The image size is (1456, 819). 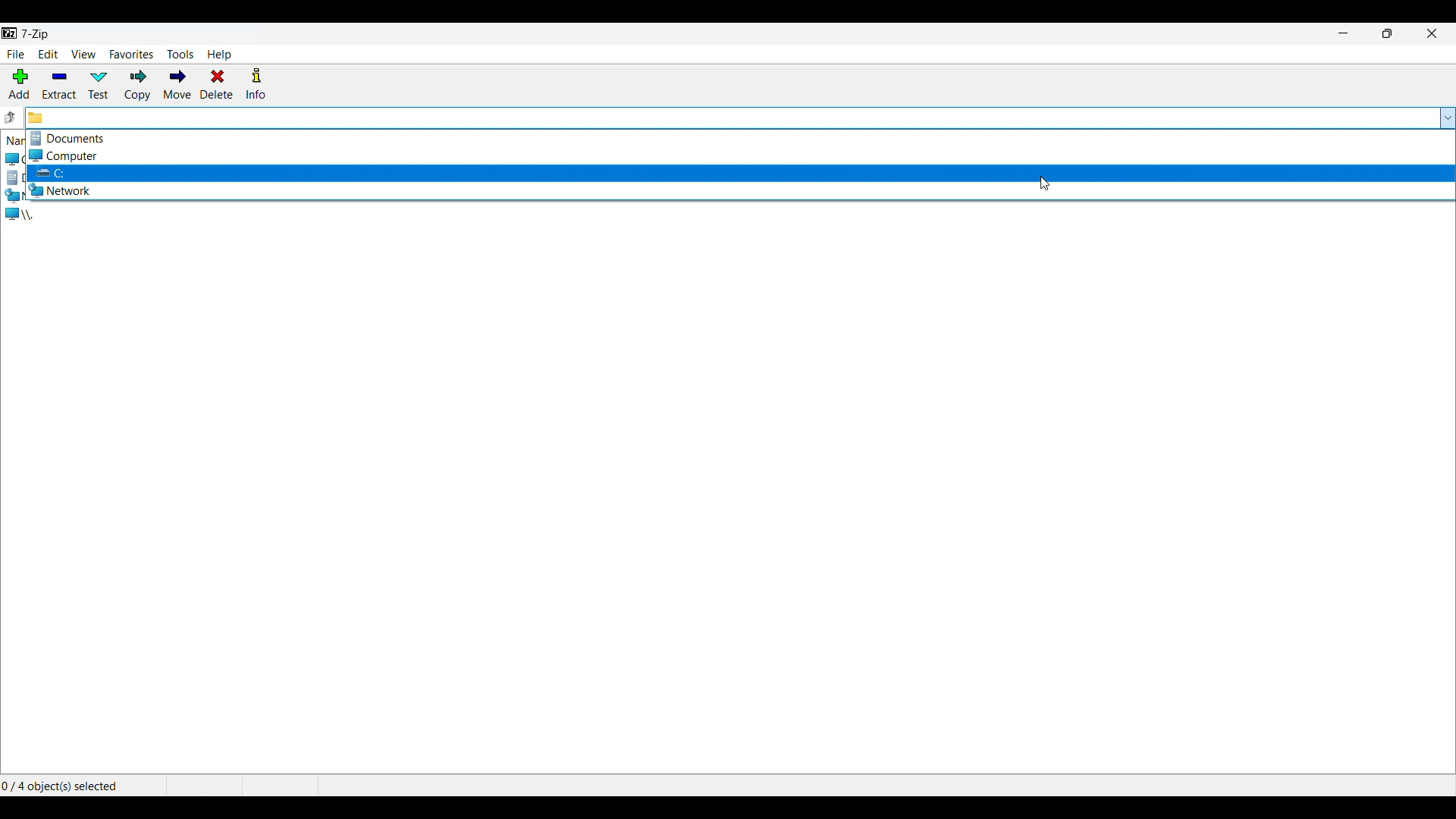 I want to click on Test, so click(x=99, y=85).